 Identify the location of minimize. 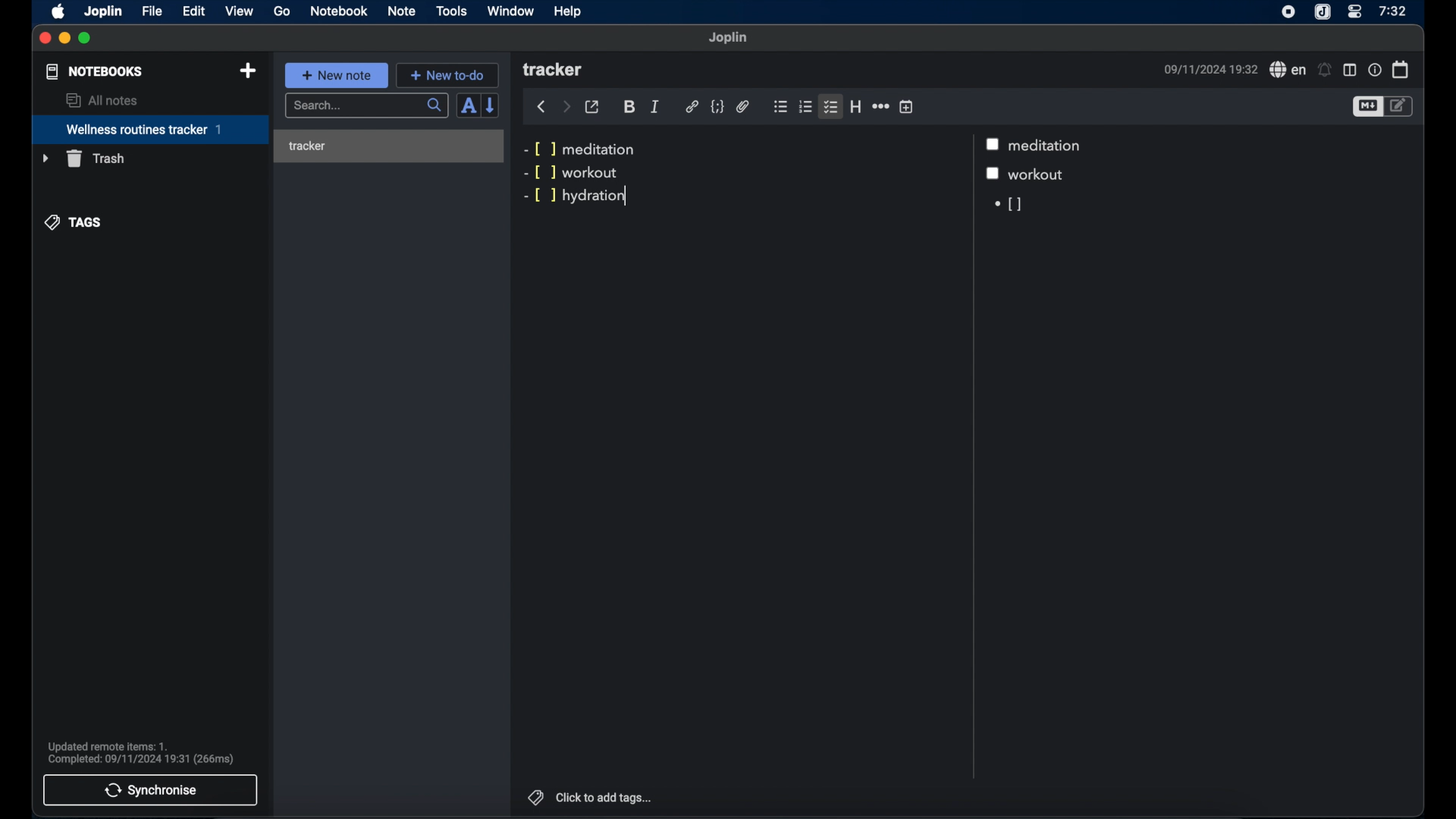
(65, 39).